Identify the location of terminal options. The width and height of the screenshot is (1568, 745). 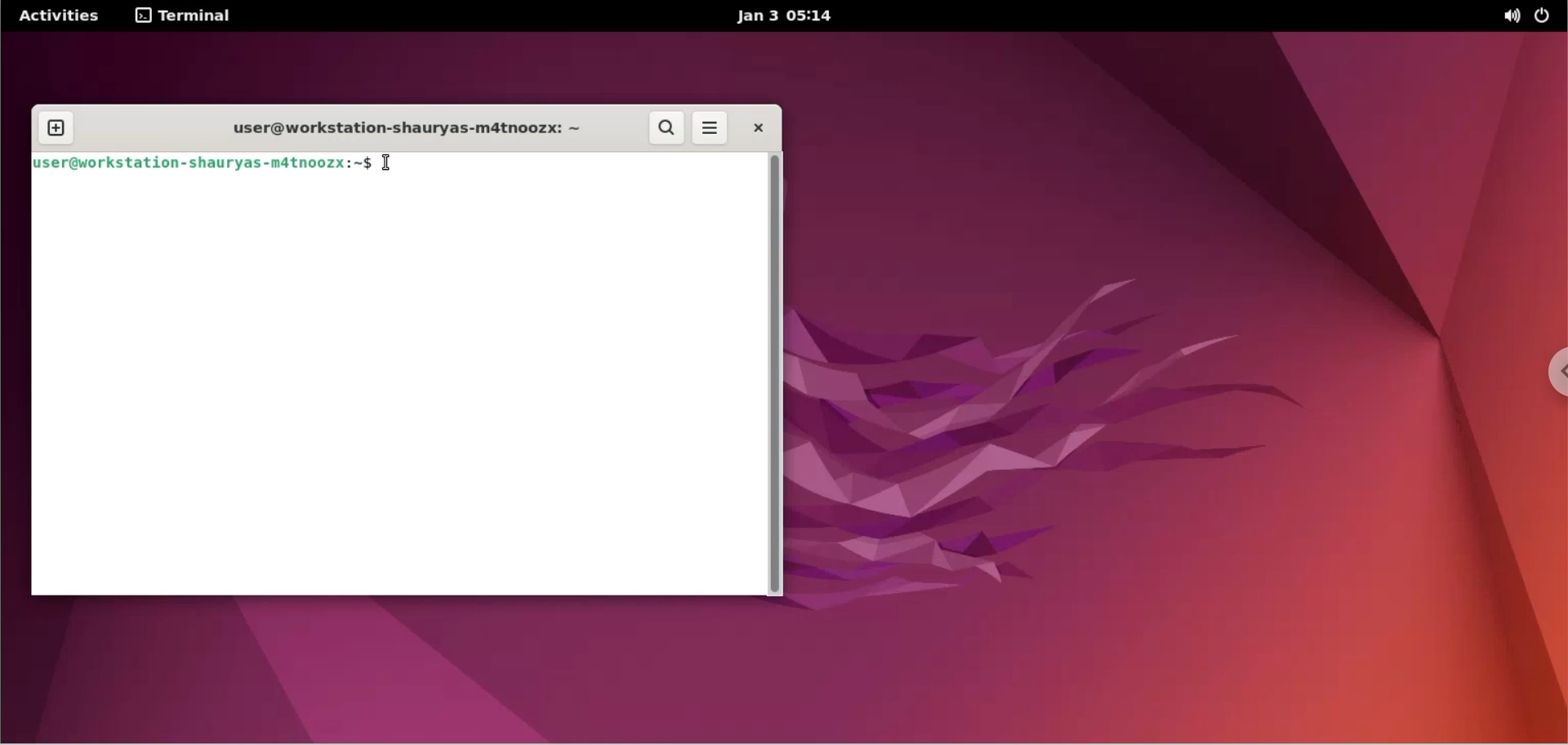
(185, 16).